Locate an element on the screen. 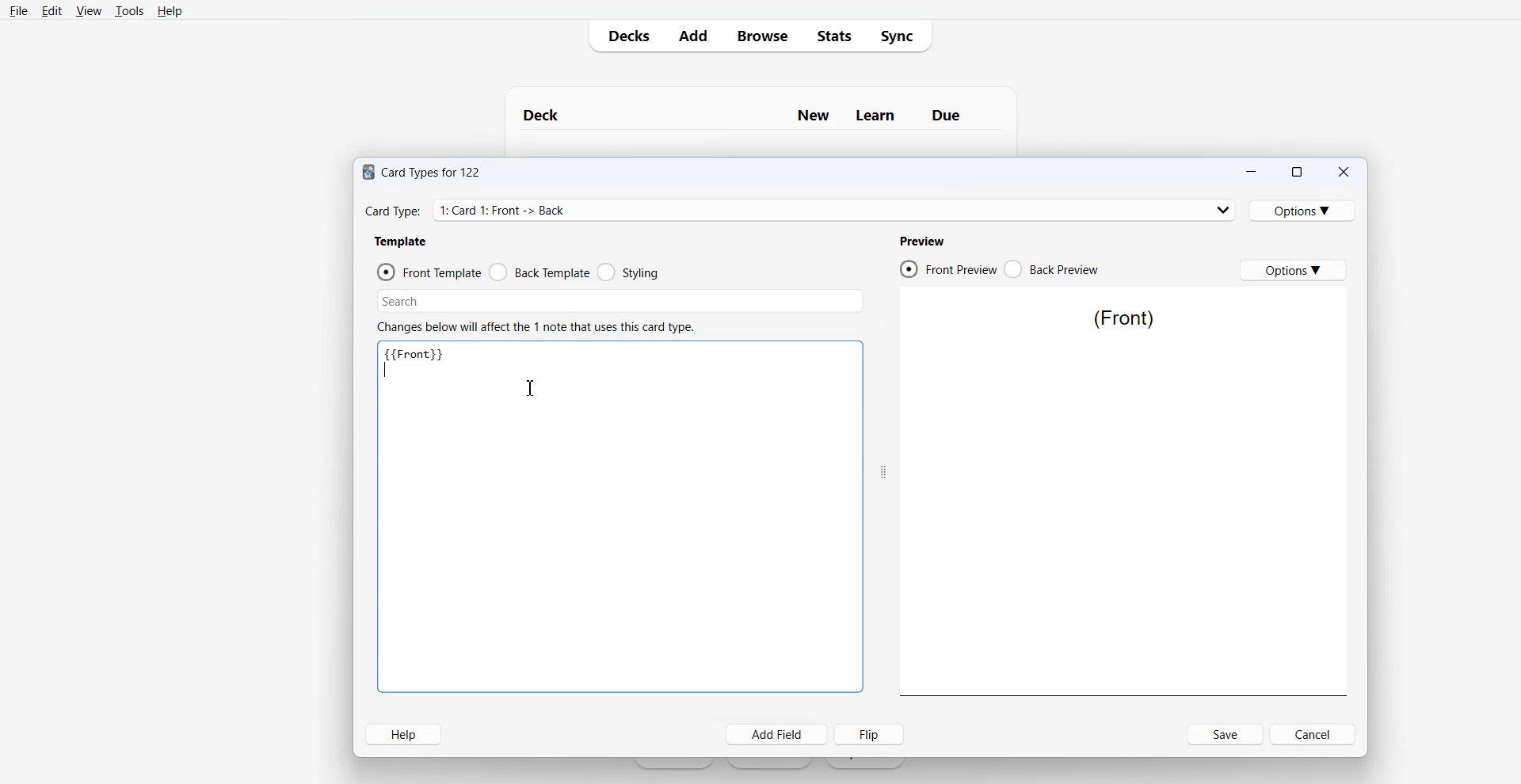 The image size is (1521, 784). Template  is located at coordinates (402, 242).